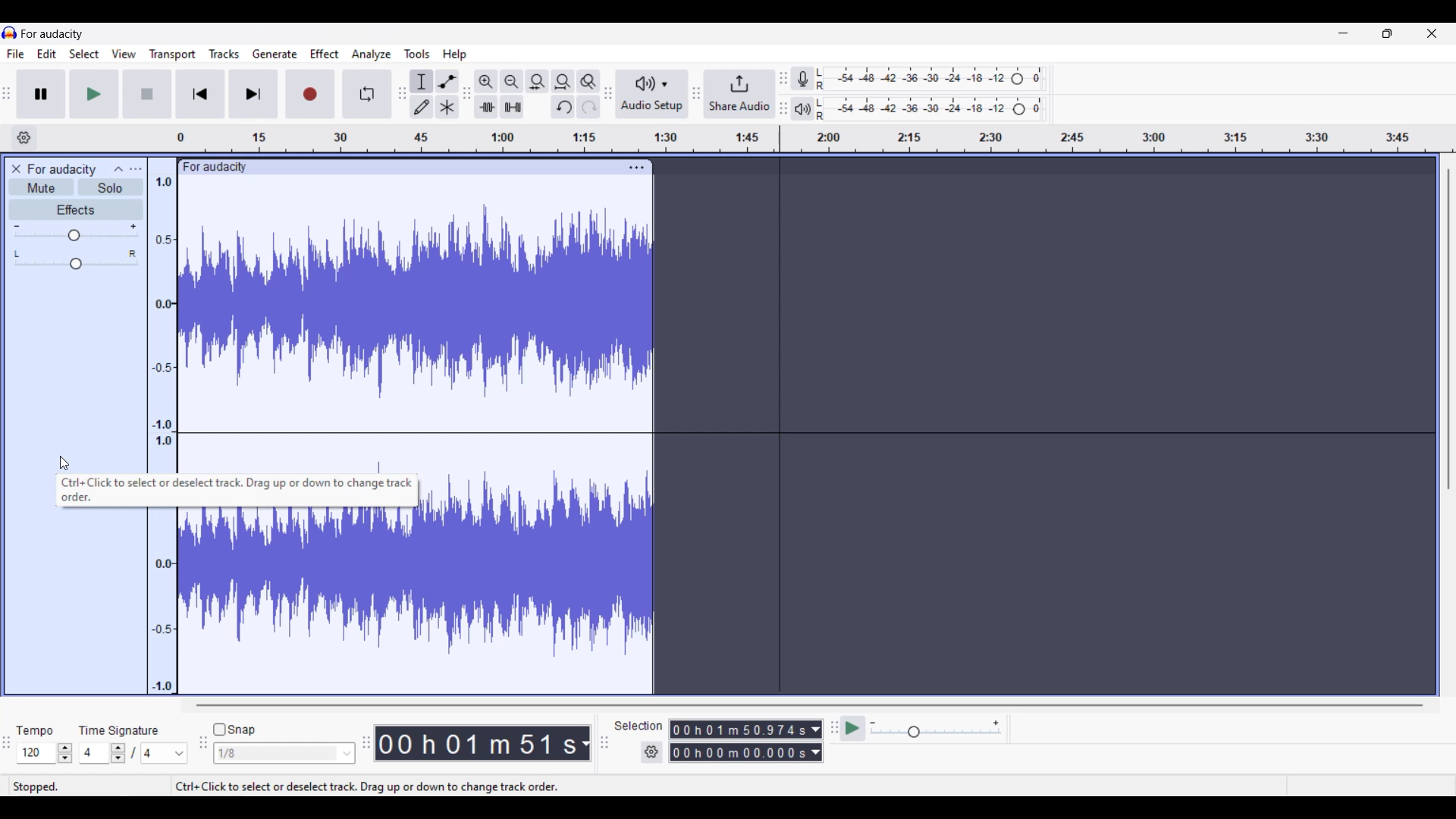 This screenshot has height=819, width=1456. Describe the element at coordinates (147, 94) in the screenshot. I see `Stop` at that location.